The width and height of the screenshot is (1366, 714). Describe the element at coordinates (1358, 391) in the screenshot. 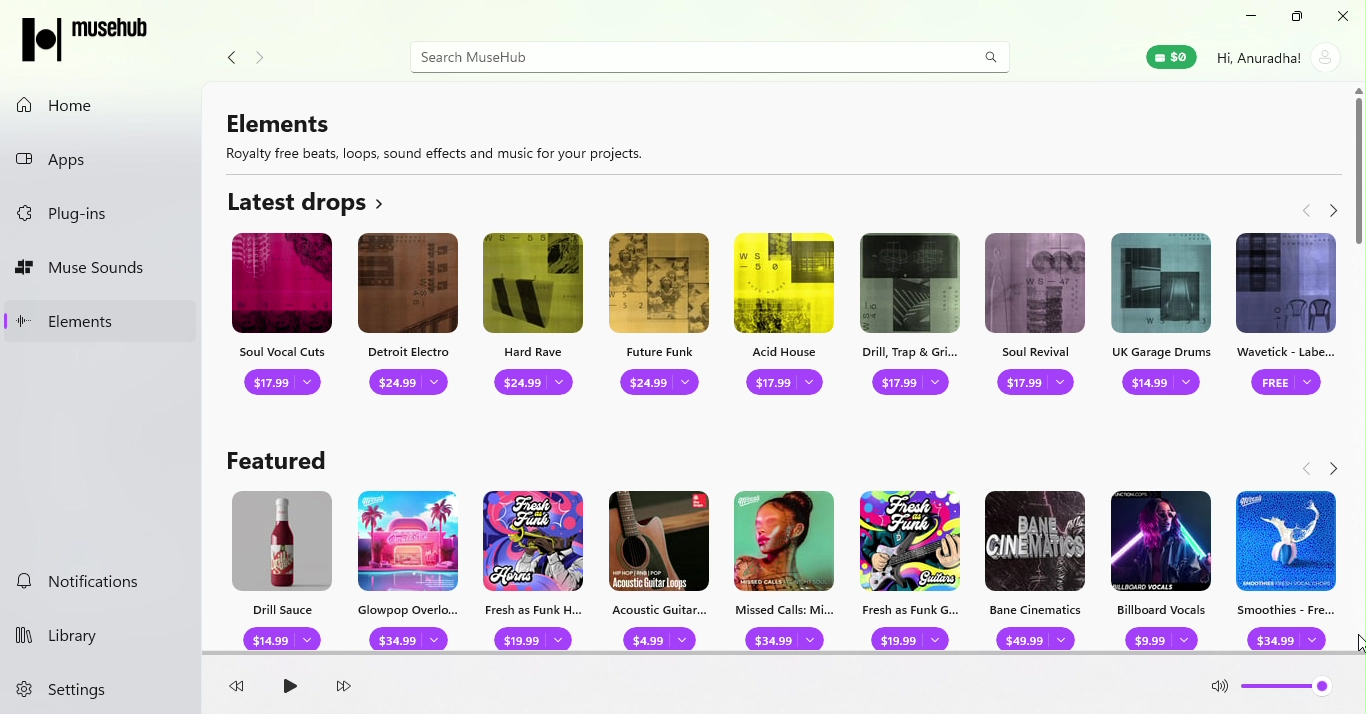

I see `Scroll bar` at that location.